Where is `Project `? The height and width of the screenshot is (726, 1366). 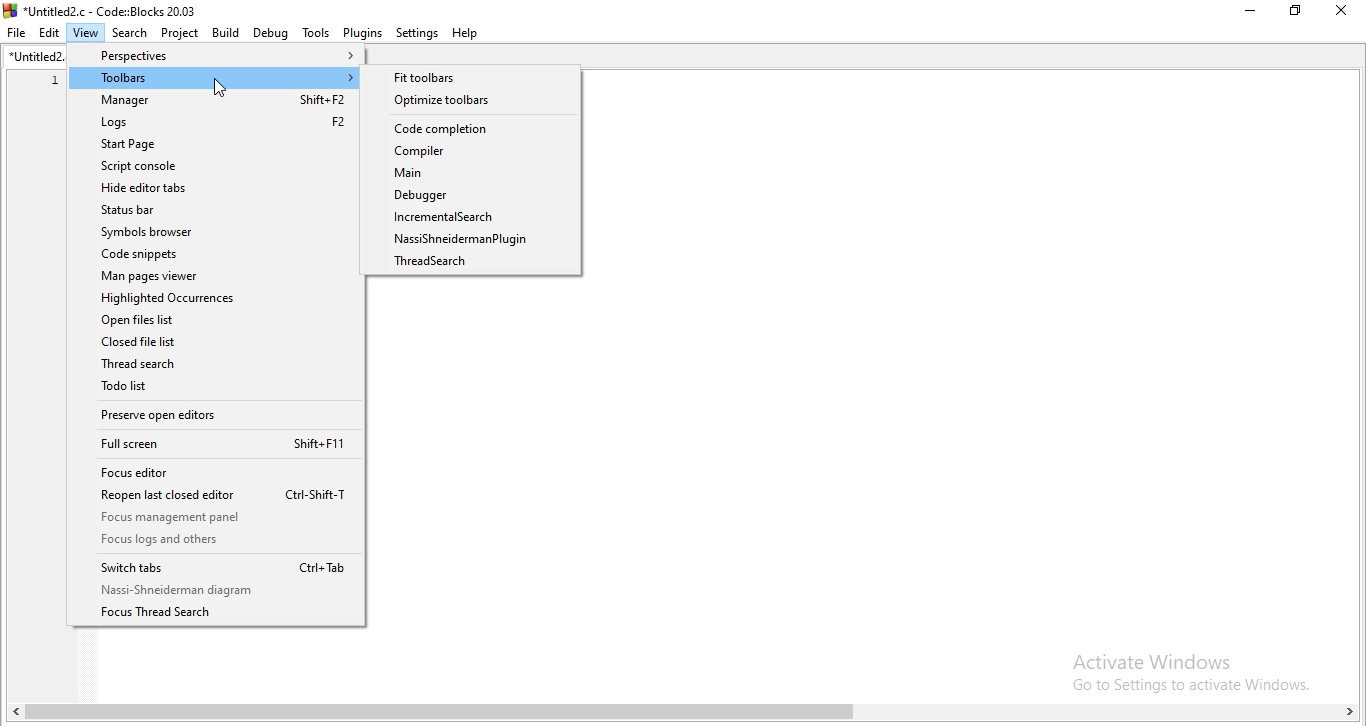 Project  is located at coordinates (180, 34).